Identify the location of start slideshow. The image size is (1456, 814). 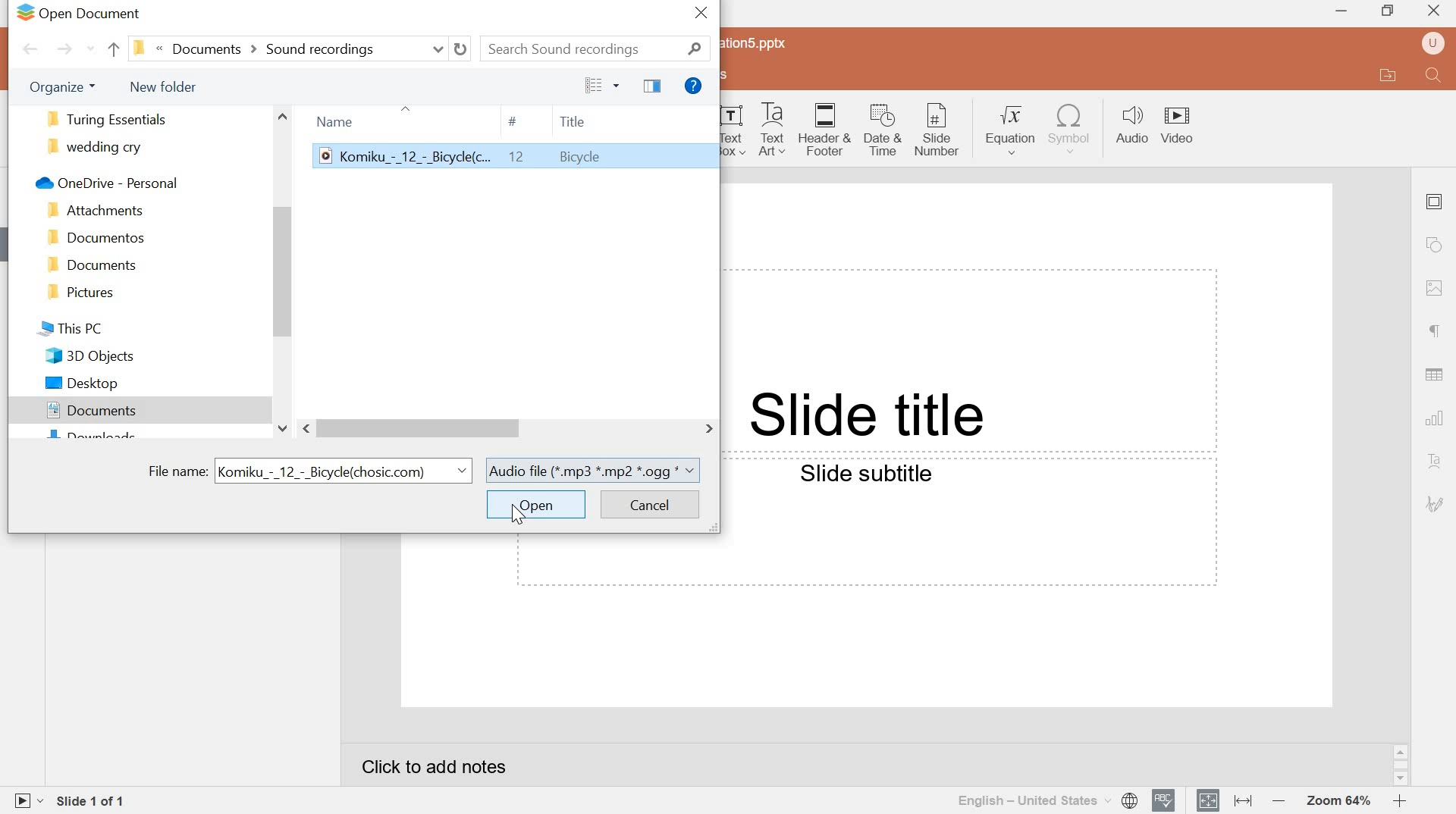
(26, 800).